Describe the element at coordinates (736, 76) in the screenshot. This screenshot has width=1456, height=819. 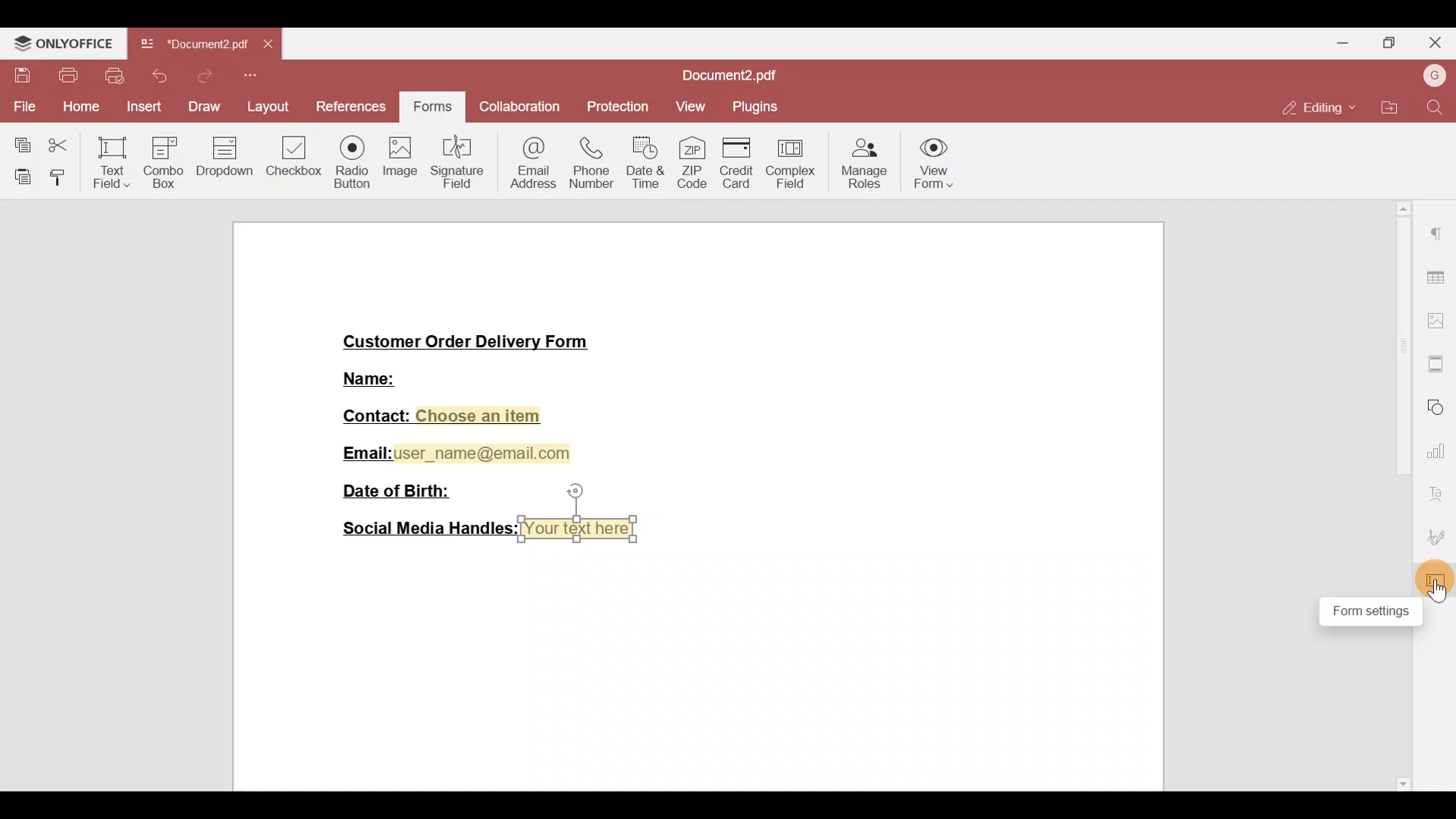
I see `Document2.pdf` at that location.